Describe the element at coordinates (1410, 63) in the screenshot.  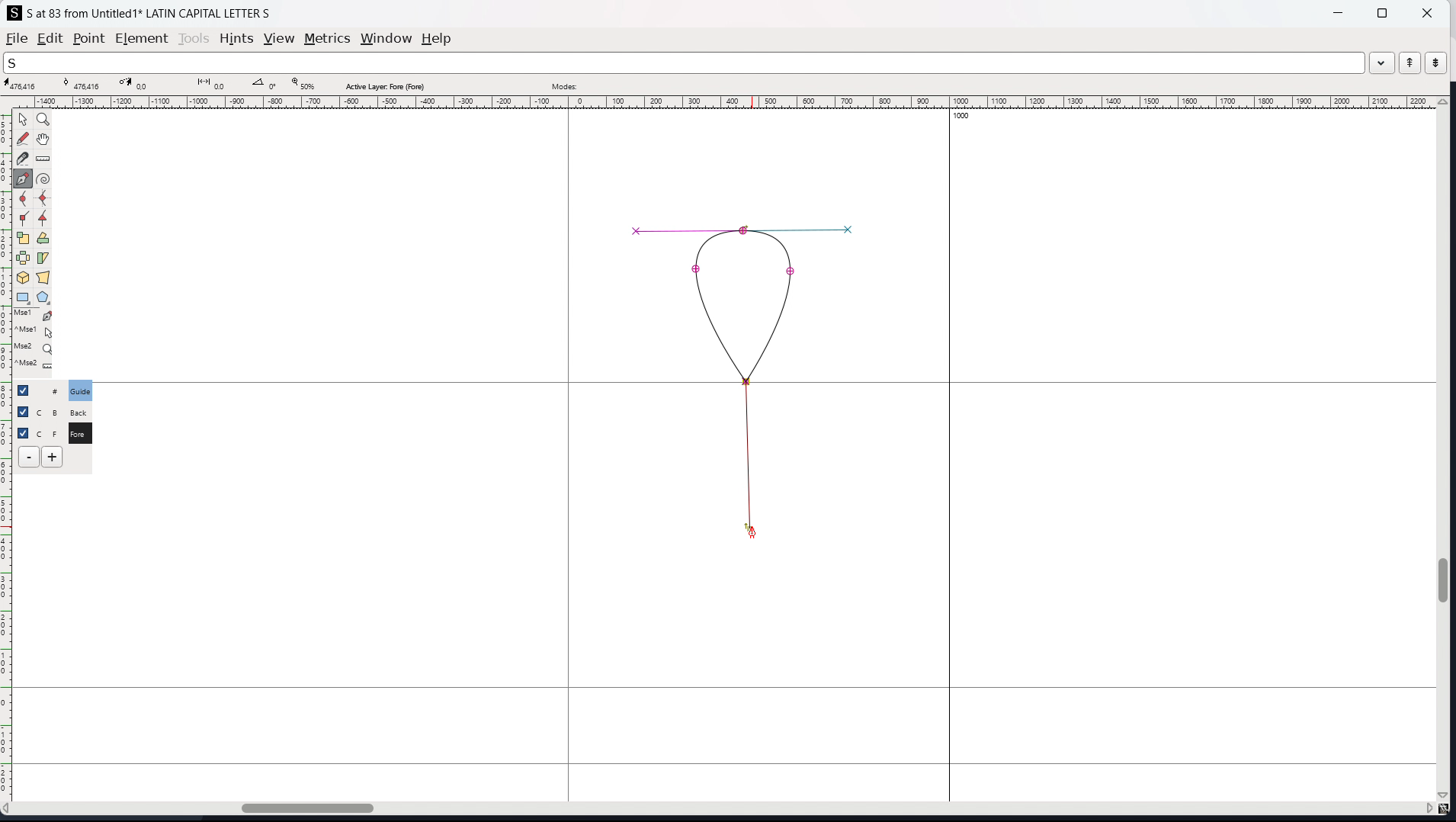
I see `previous word in the wordlist` at that location.